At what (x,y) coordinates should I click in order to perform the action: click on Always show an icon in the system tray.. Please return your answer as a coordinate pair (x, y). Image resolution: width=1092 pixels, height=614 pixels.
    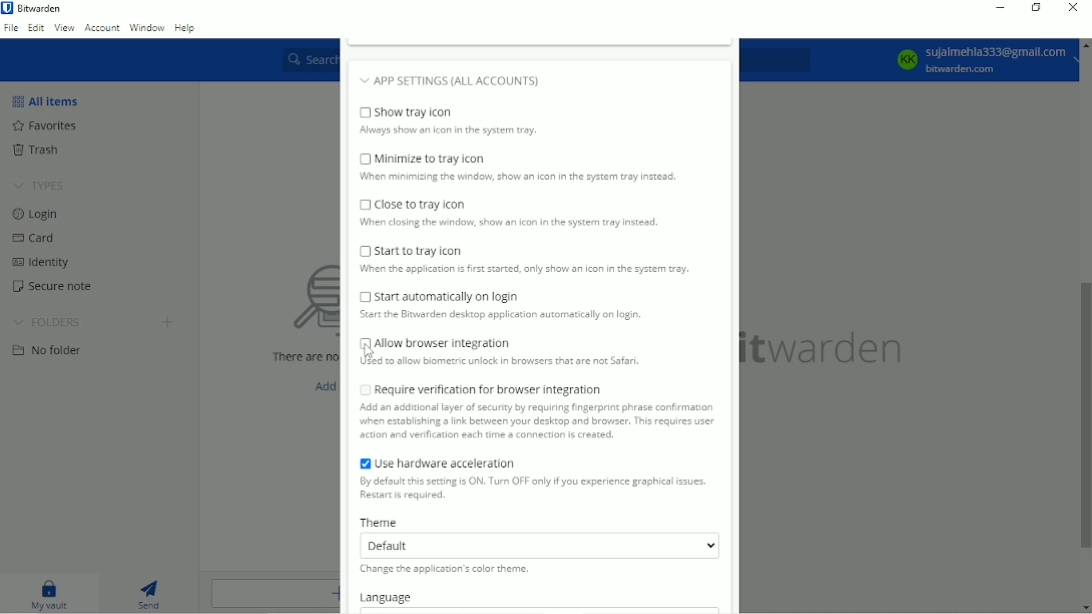
    Looking at the image, I should click on (450, 132).